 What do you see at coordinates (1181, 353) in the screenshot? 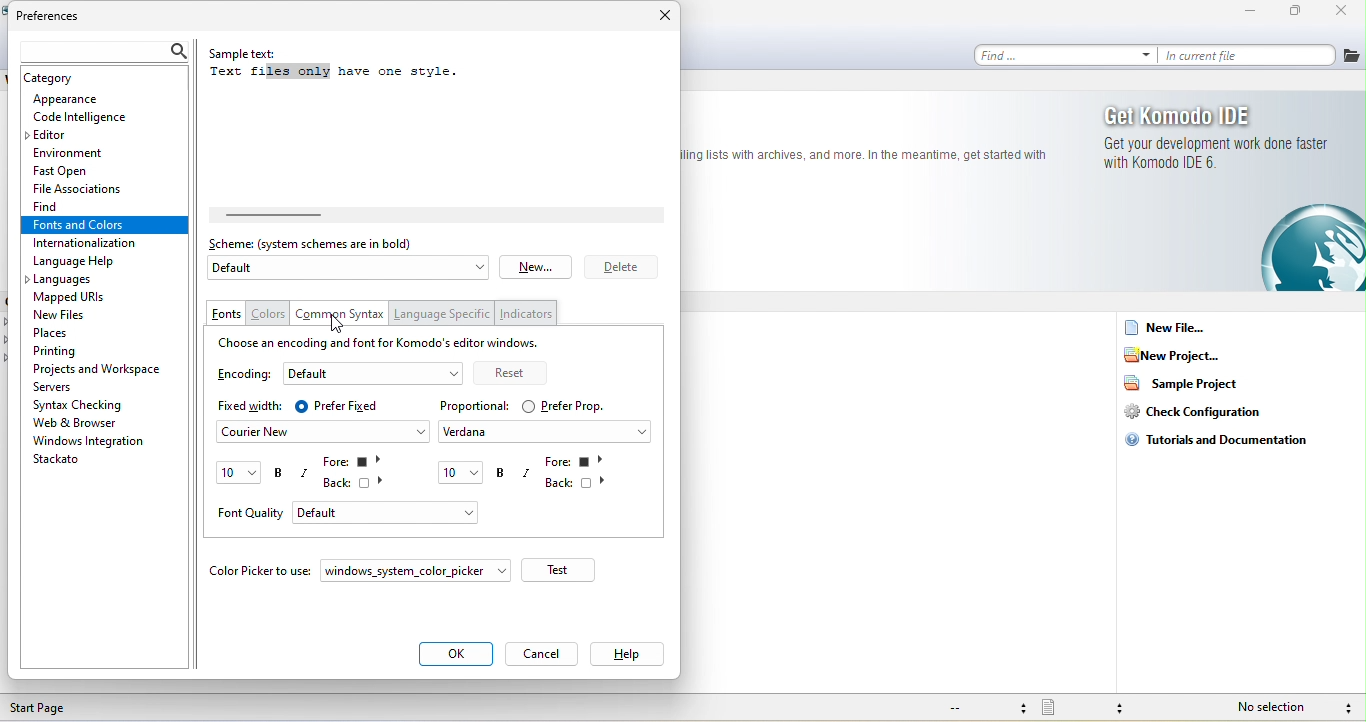
I see `new project` at bounding box center [1181, 353].